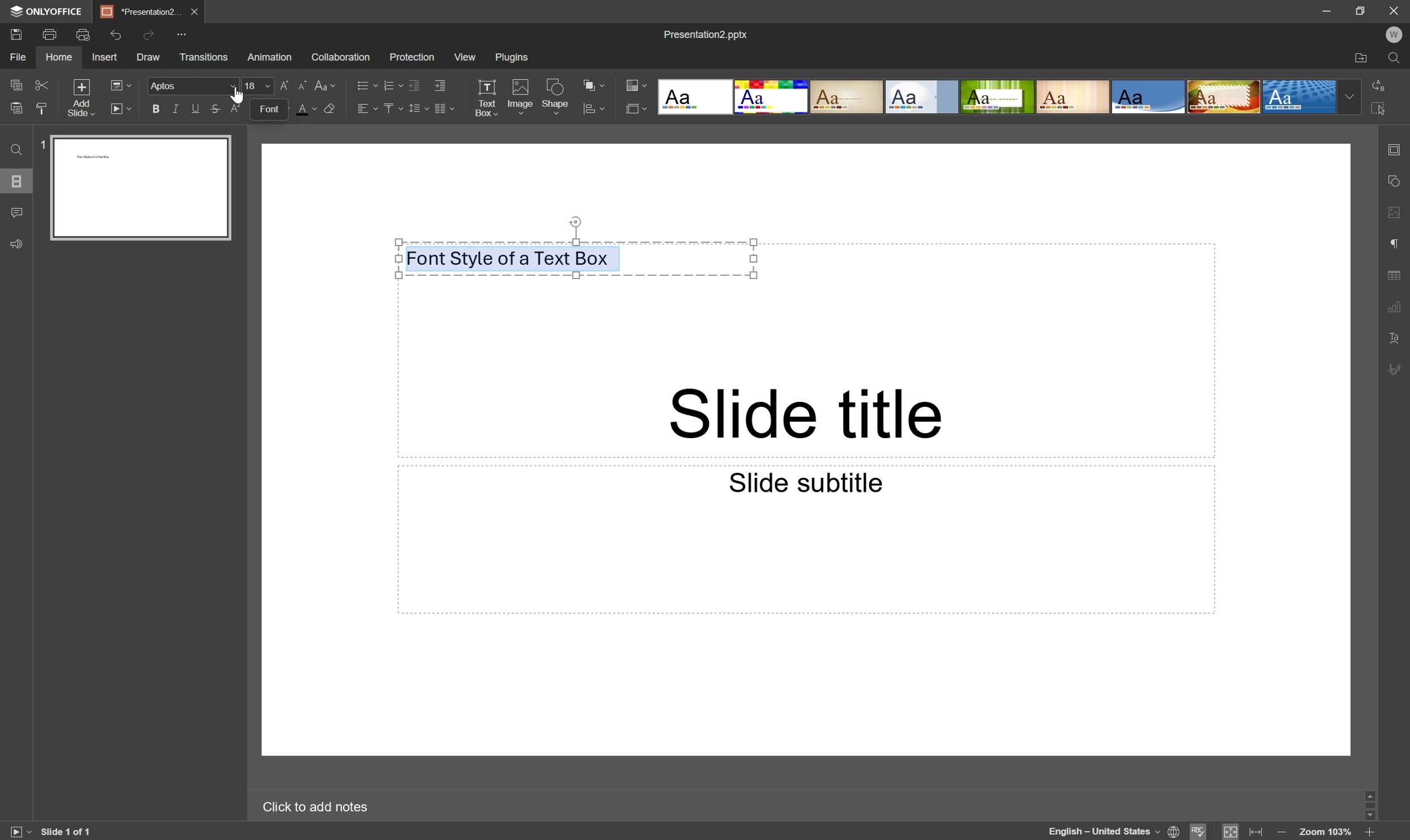 Image resolution: width=1410 pixels, height=840 pixels. What do you see at coordinates (120, 84) in the screenshot?
I see `Select slide layout` at bounding box center [120, 84].